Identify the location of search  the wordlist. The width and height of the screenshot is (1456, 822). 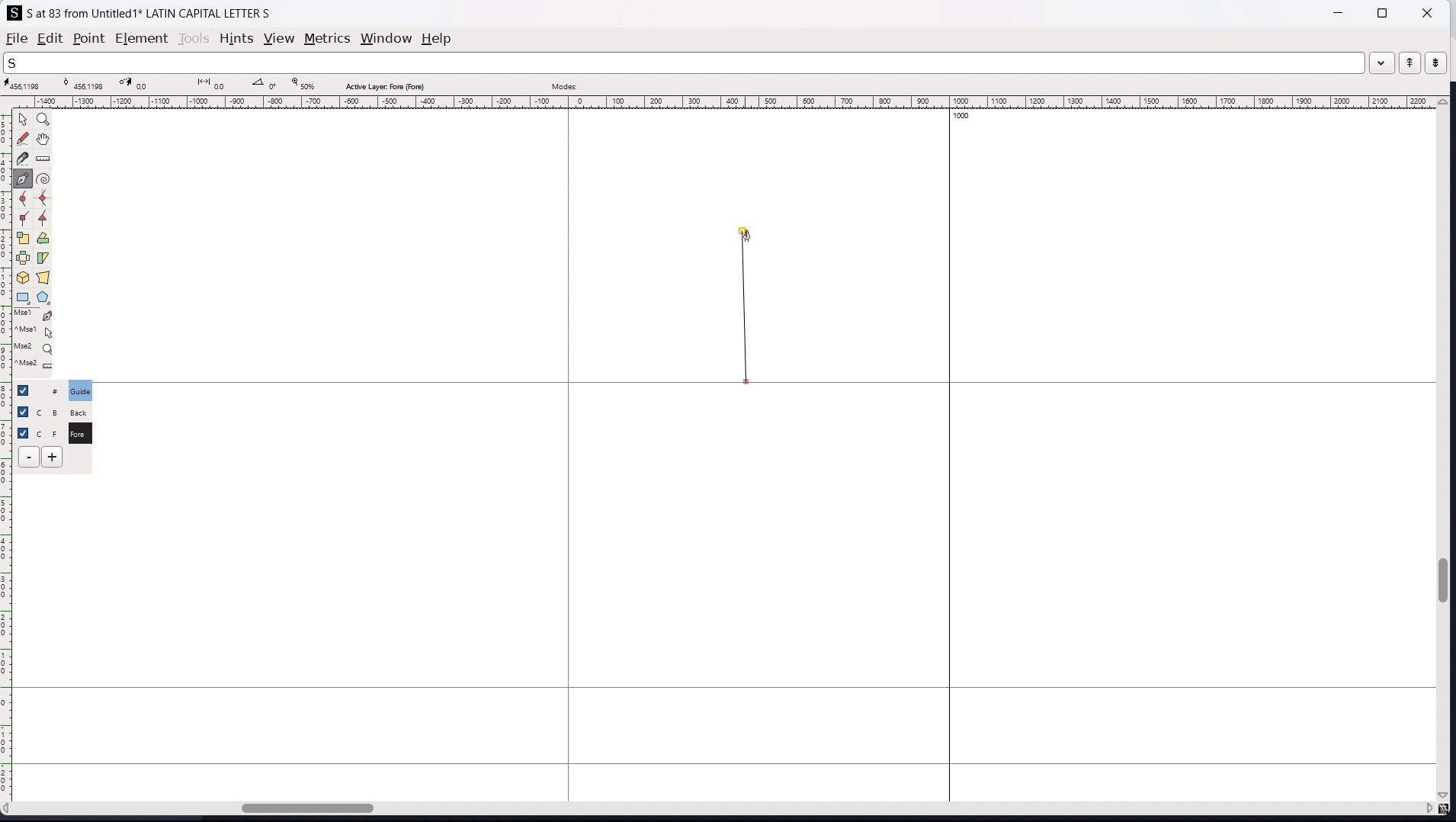
(684, 63).